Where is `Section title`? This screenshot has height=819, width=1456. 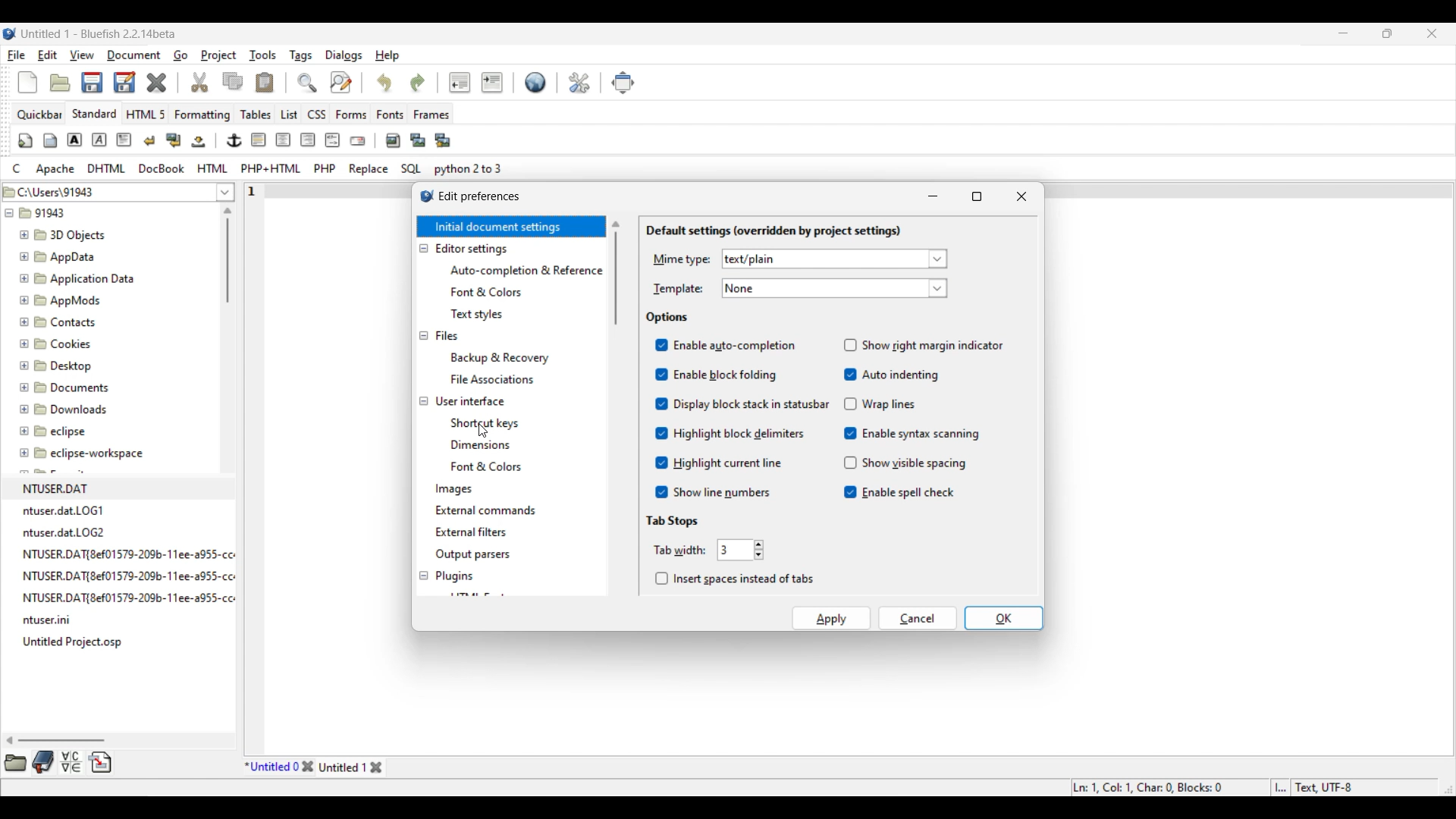
Section title is located at coordinates (773, 231).